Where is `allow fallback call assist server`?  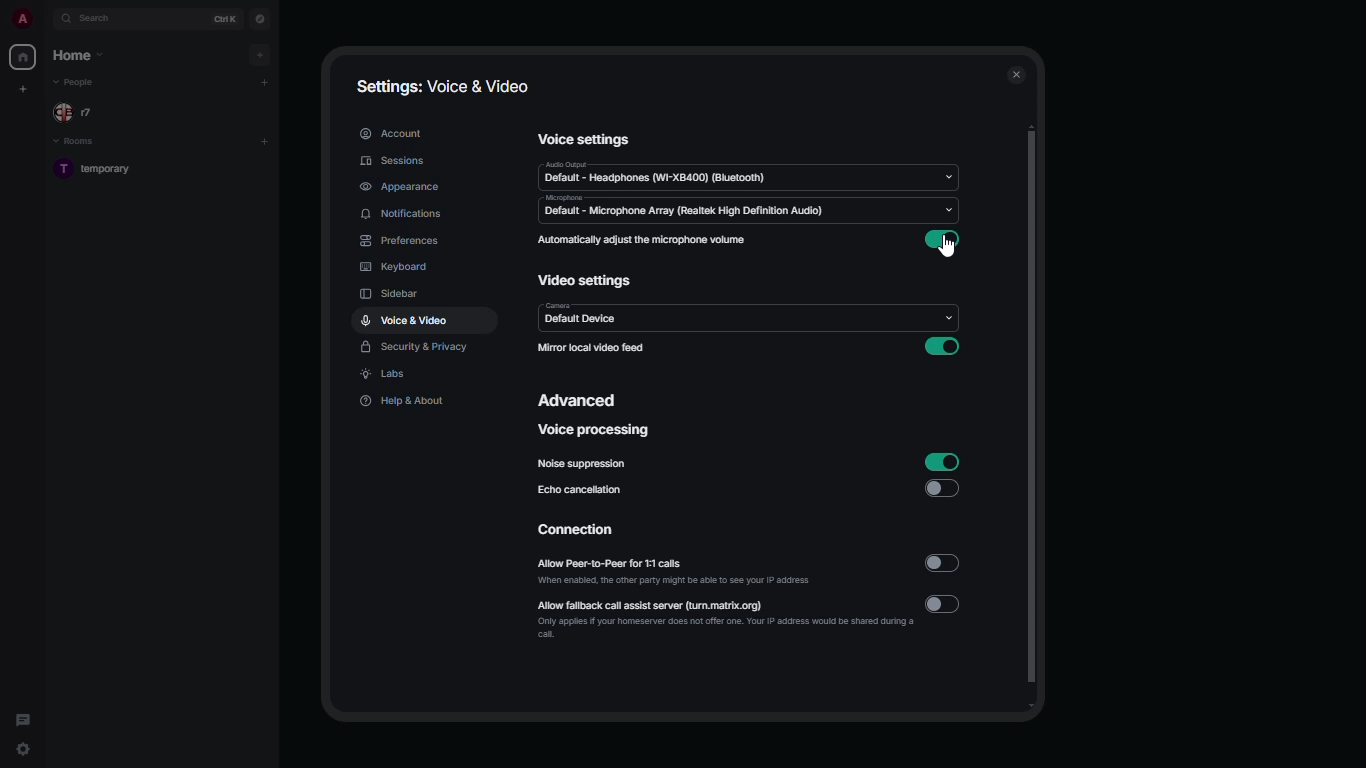 allow fallback call assist server is located at coordinates (725, 617).